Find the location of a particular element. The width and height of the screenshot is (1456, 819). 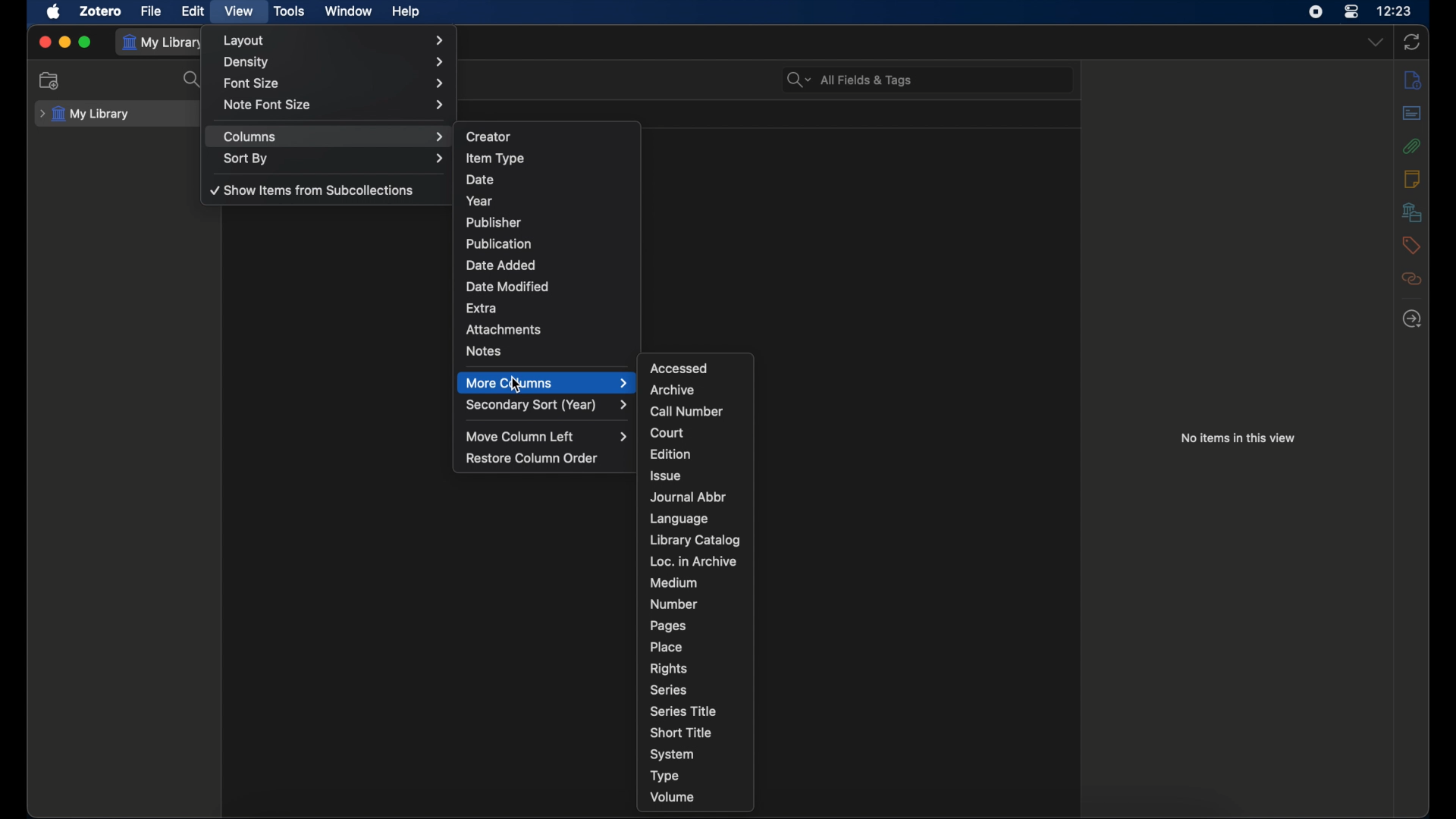

short title is located at coordinates (682, 732).